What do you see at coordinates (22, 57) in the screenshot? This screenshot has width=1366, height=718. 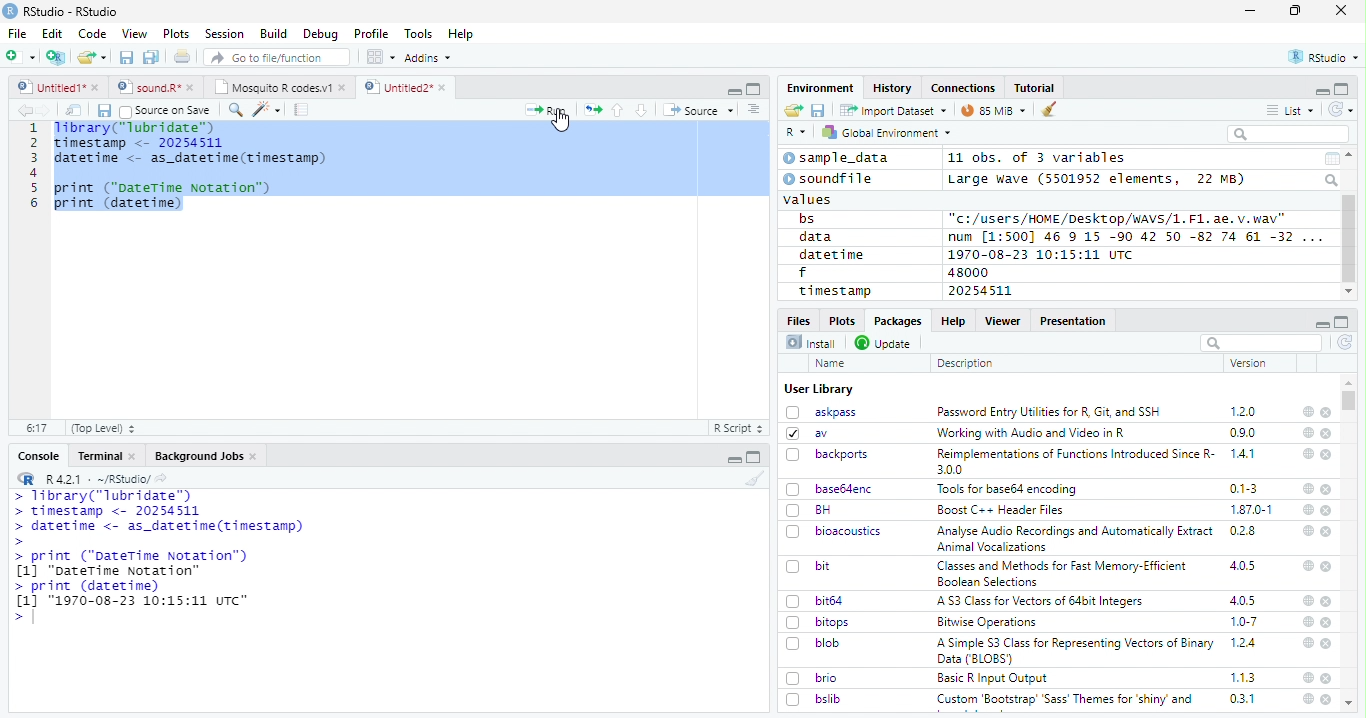 I see `New file` at bounding box center [22, 57].